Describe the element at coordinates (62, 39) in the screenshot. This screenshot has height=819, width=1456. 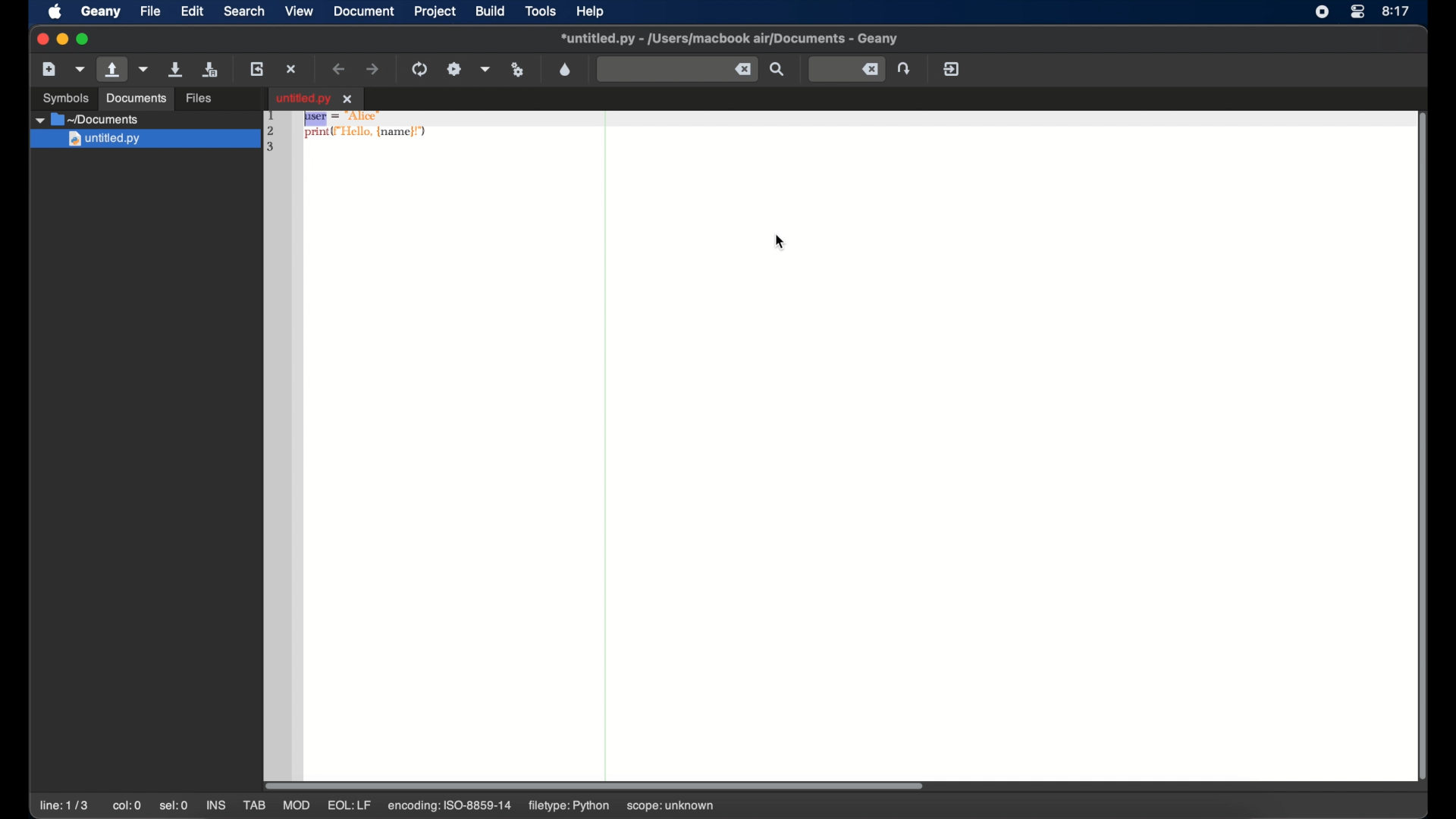
I see `minimize` at that location.